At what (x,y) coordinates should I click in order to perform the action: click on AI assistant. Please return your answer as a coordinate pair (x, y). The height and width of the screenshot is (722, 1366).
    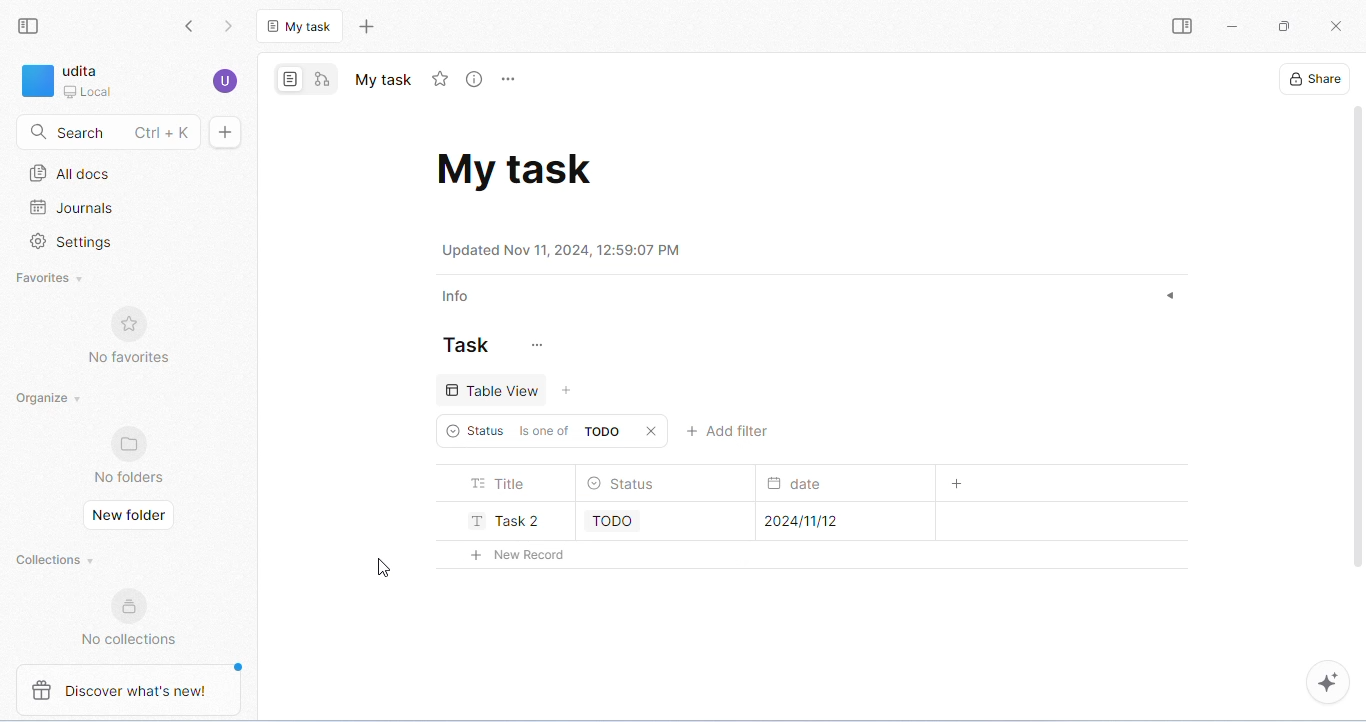
    Looking at the image, I should click on (1326, 682).